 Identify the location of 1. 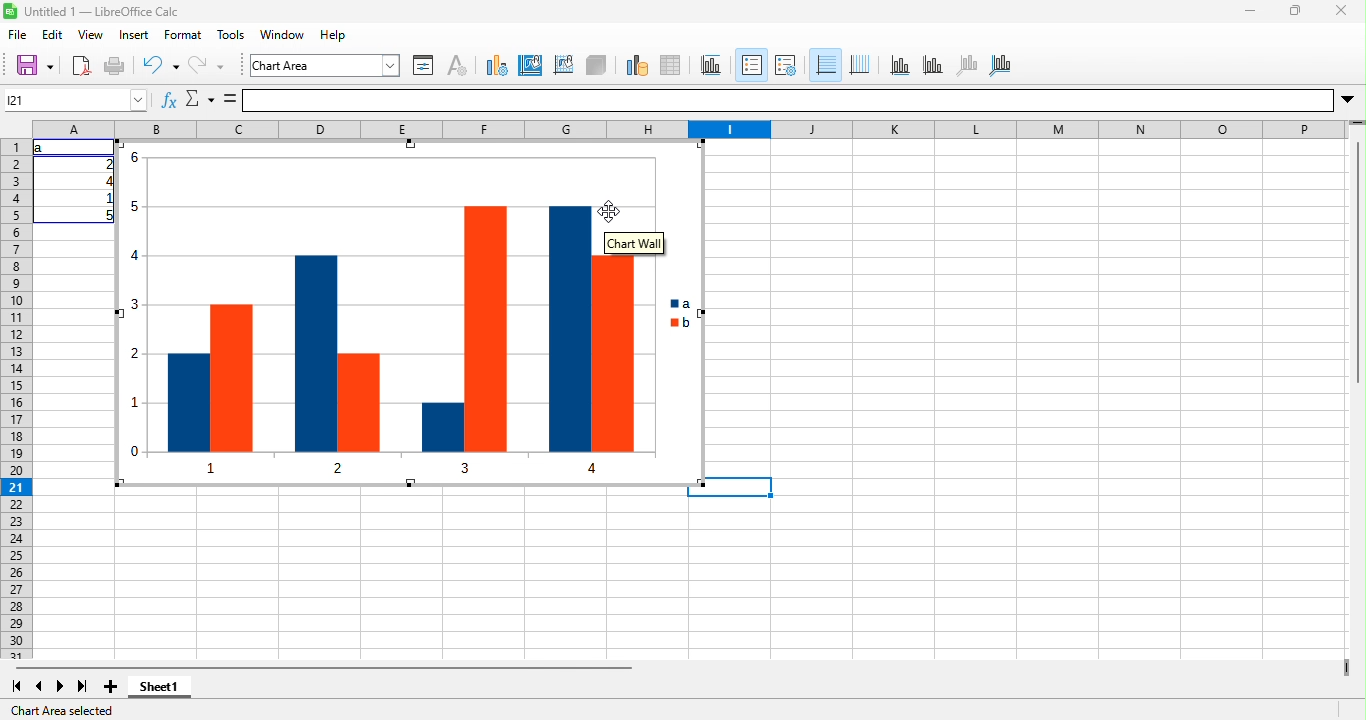
(106, 198).